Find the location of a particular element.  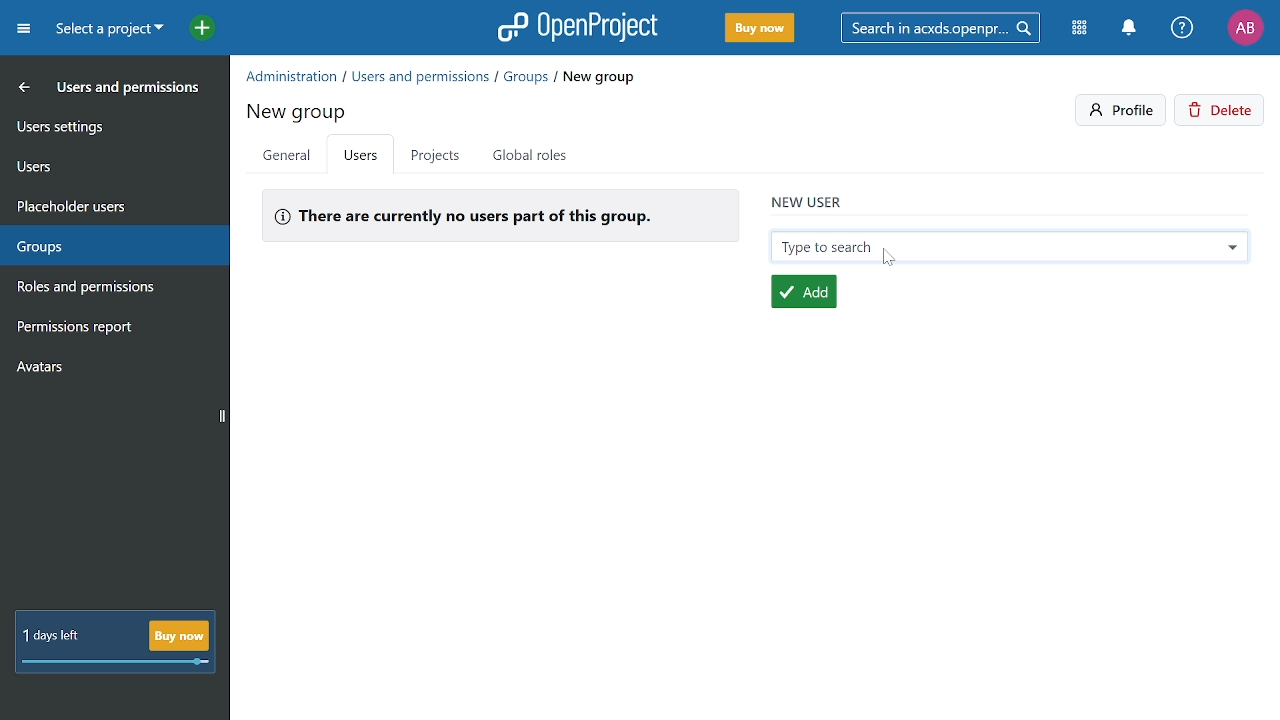

Notifiactions is located at coordinates (1134, 29).